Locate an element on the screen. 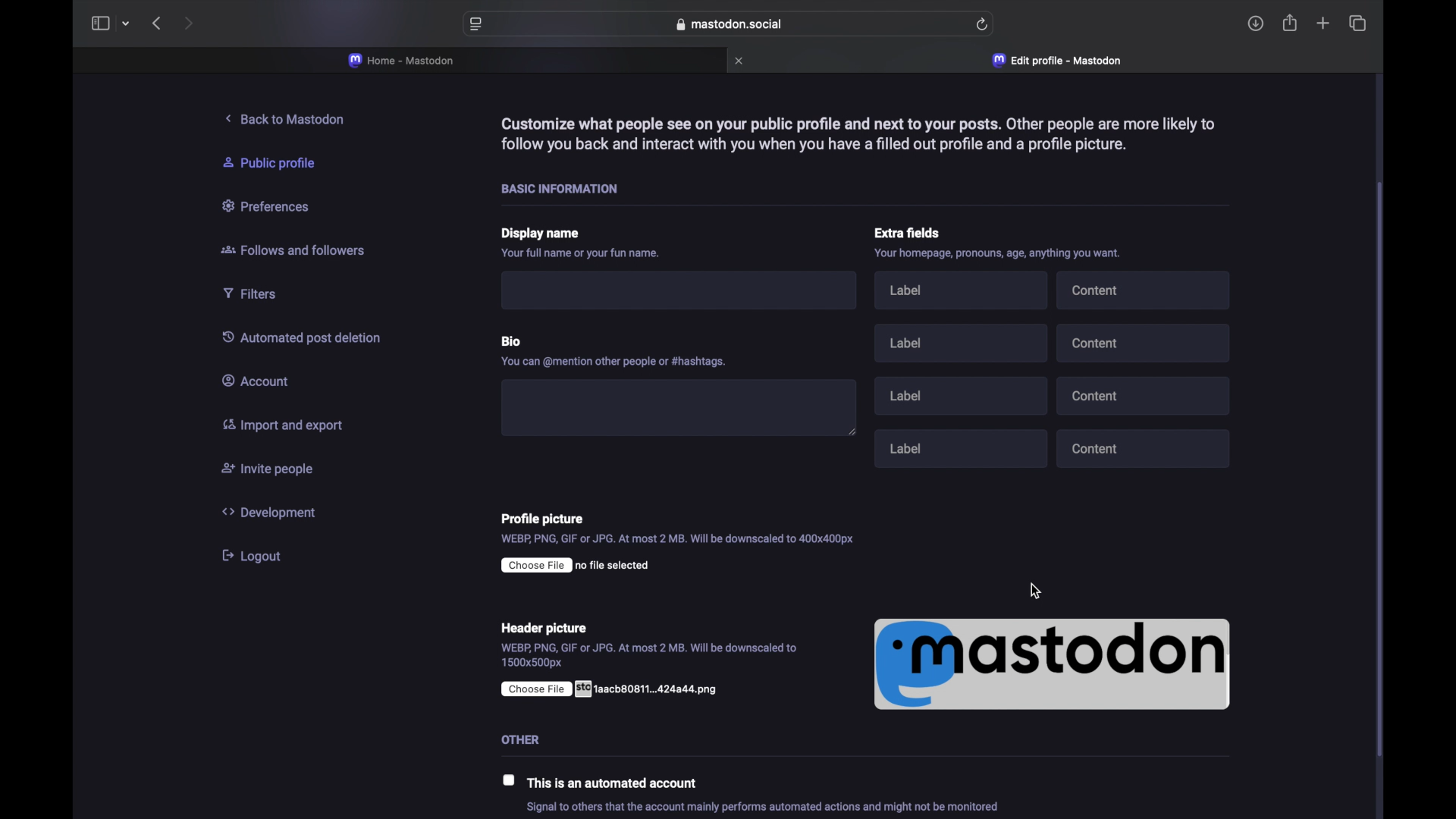 The width and height of the screenshot is (1456, 819). this is an automated account is located at coordinates (619, 783).